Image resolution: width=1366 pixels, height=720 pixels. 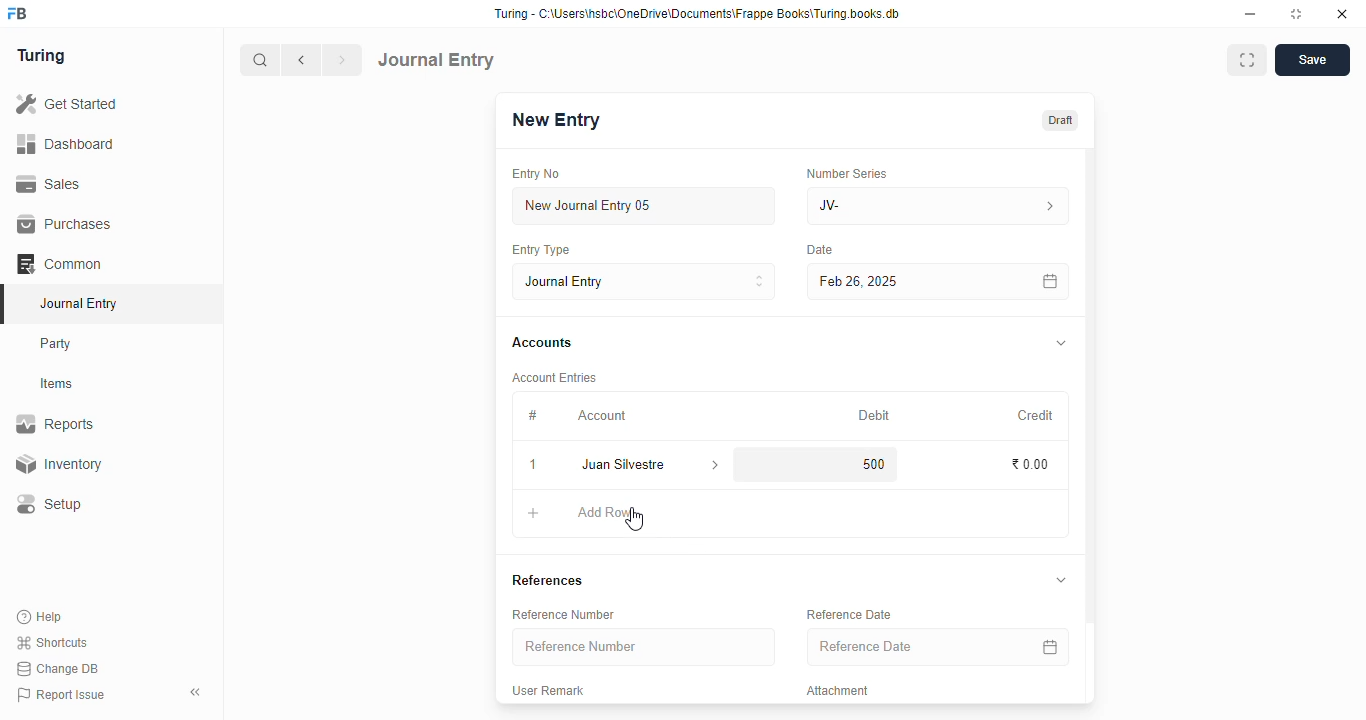 I want to click on entry no, so click(x=537, y=174).